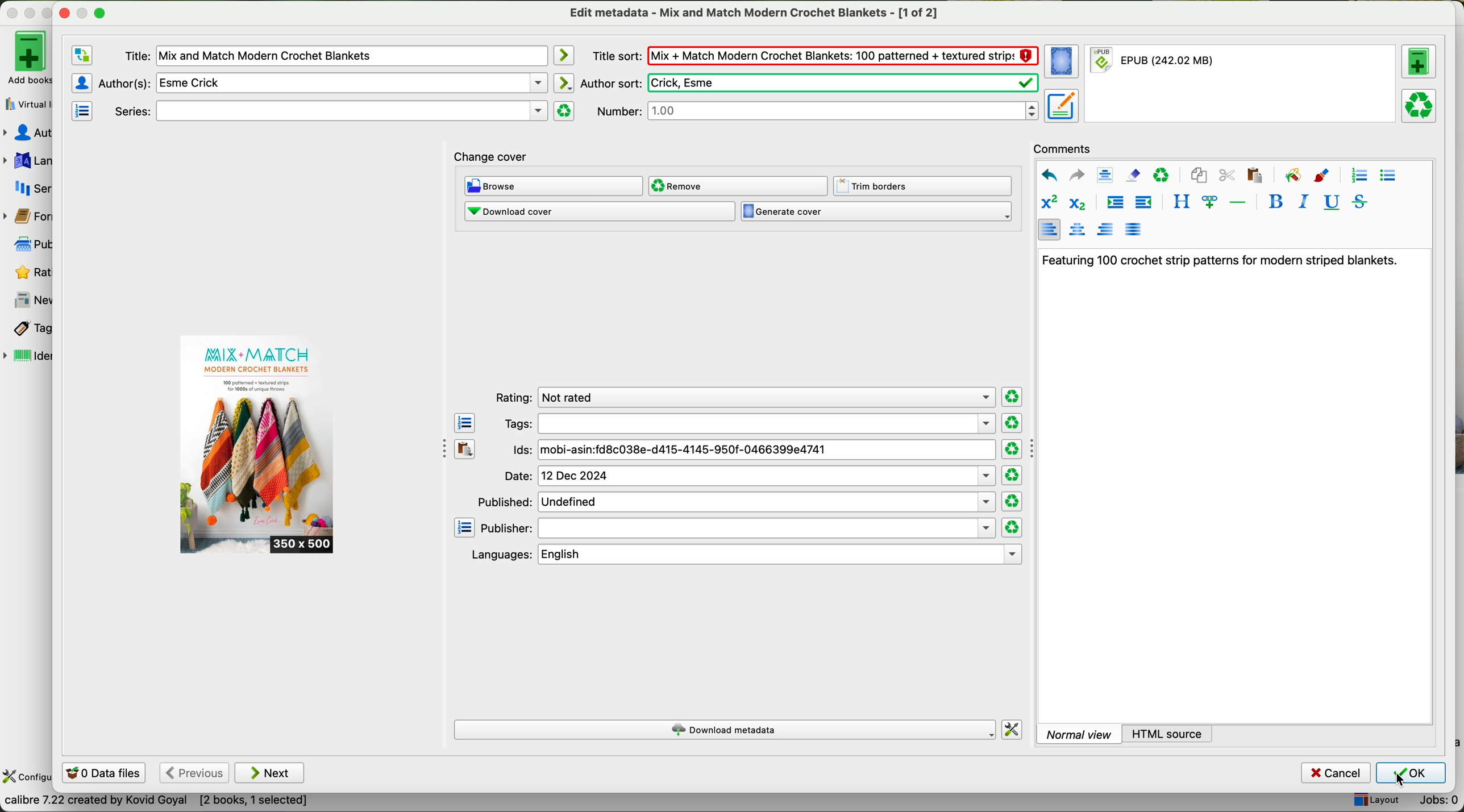 This screenshot has width=1464, height=812. What do you see at coordinates (1049, 229) in the screenshot?
I see `align left` at bounding box center [1049, 229].